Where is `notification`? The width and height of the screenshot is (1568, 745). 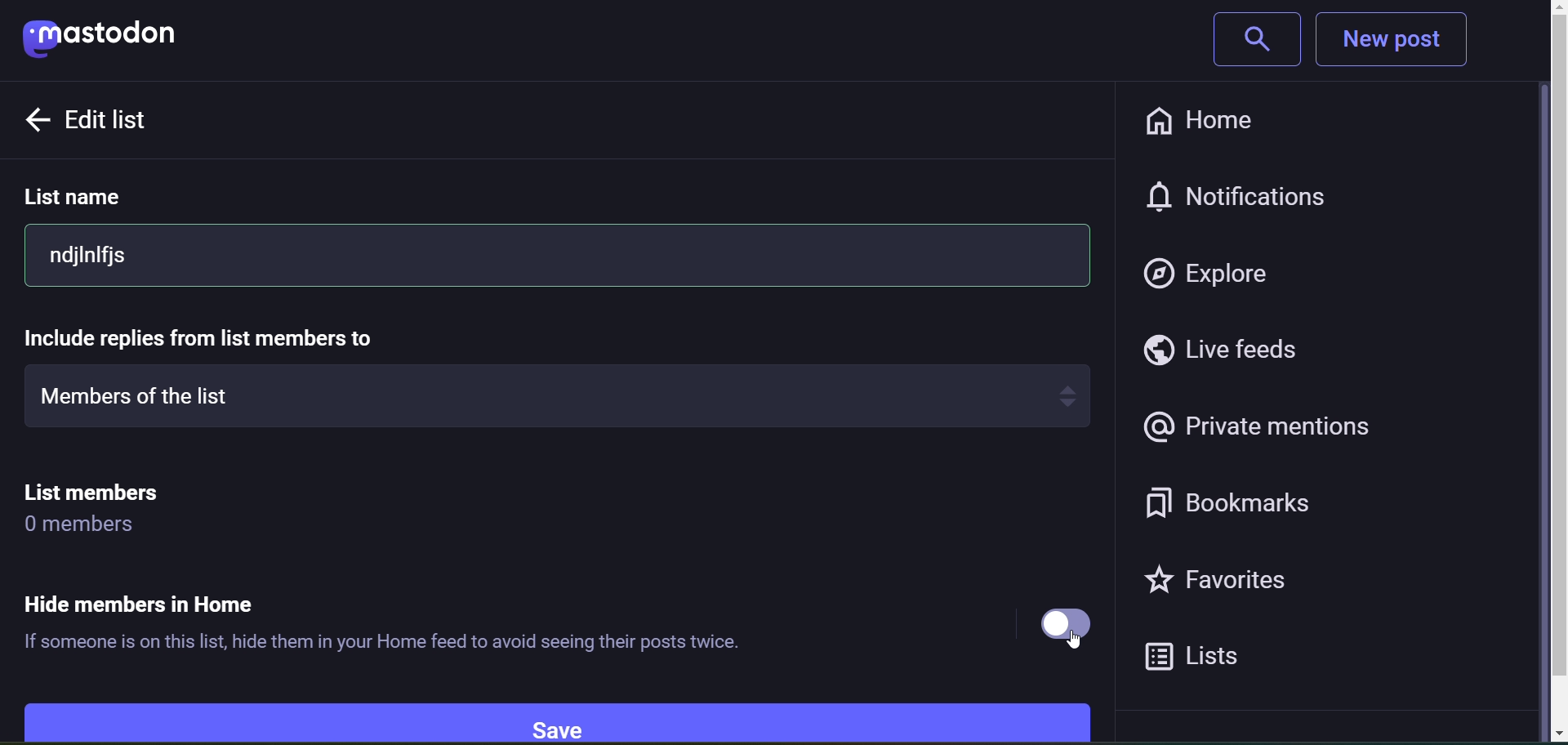
notification is located at coordinates (1258, 193).